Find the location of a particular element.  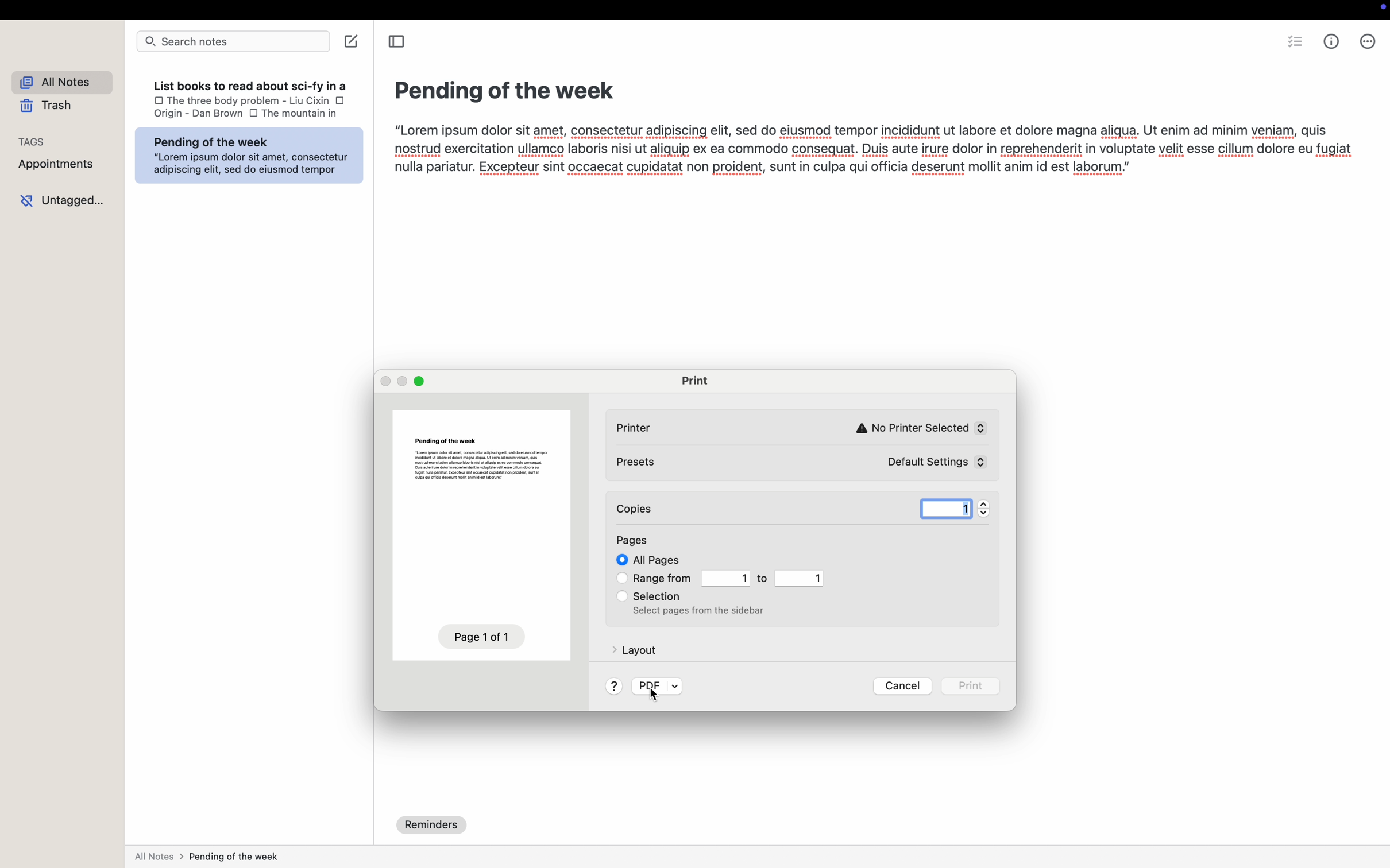

trash is located at coordinates (46, 109).